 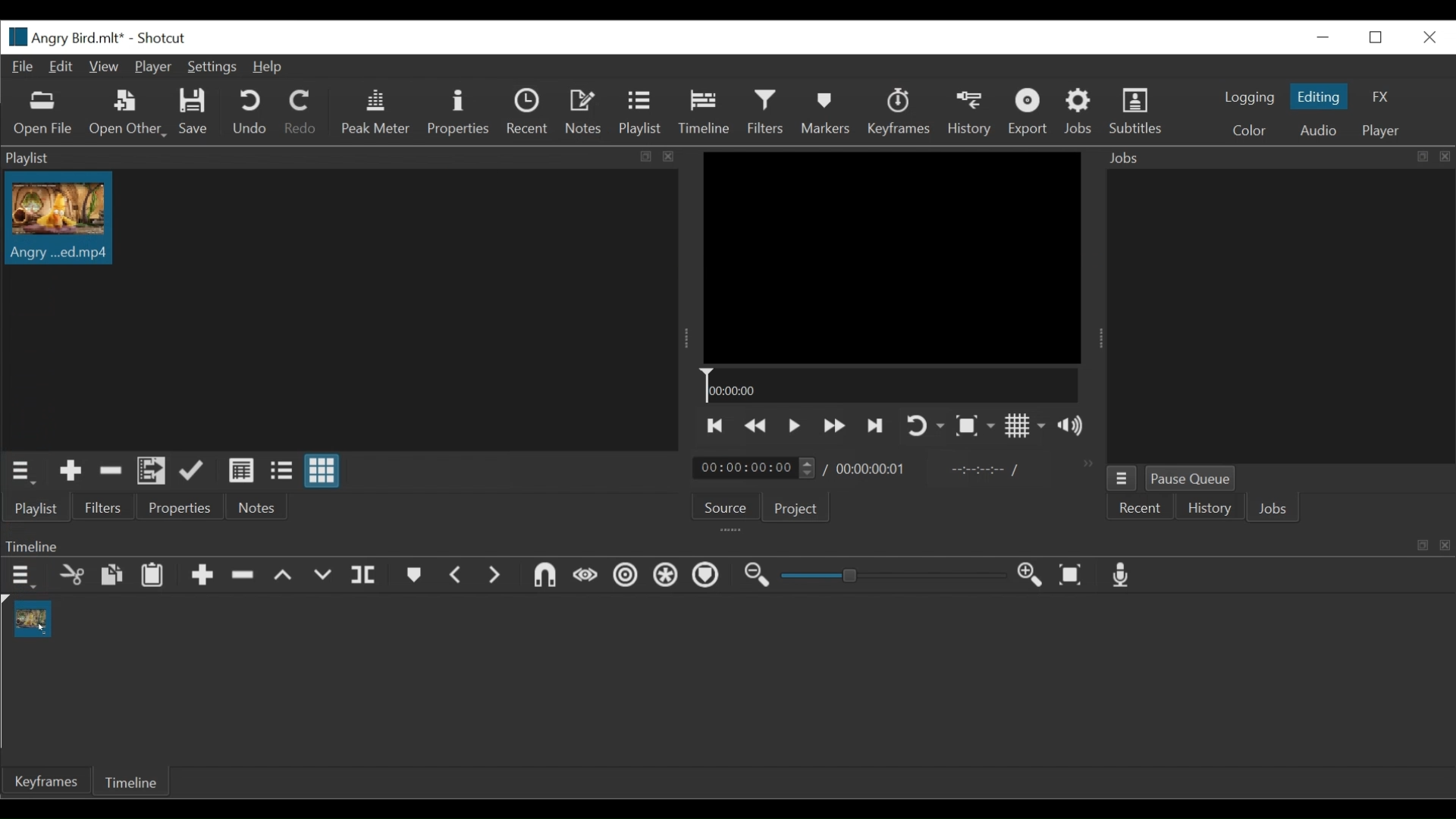 What do you see at coordinates (180, 507) in the screenshot?
I see `Properties` at bounding box center [180, 507].